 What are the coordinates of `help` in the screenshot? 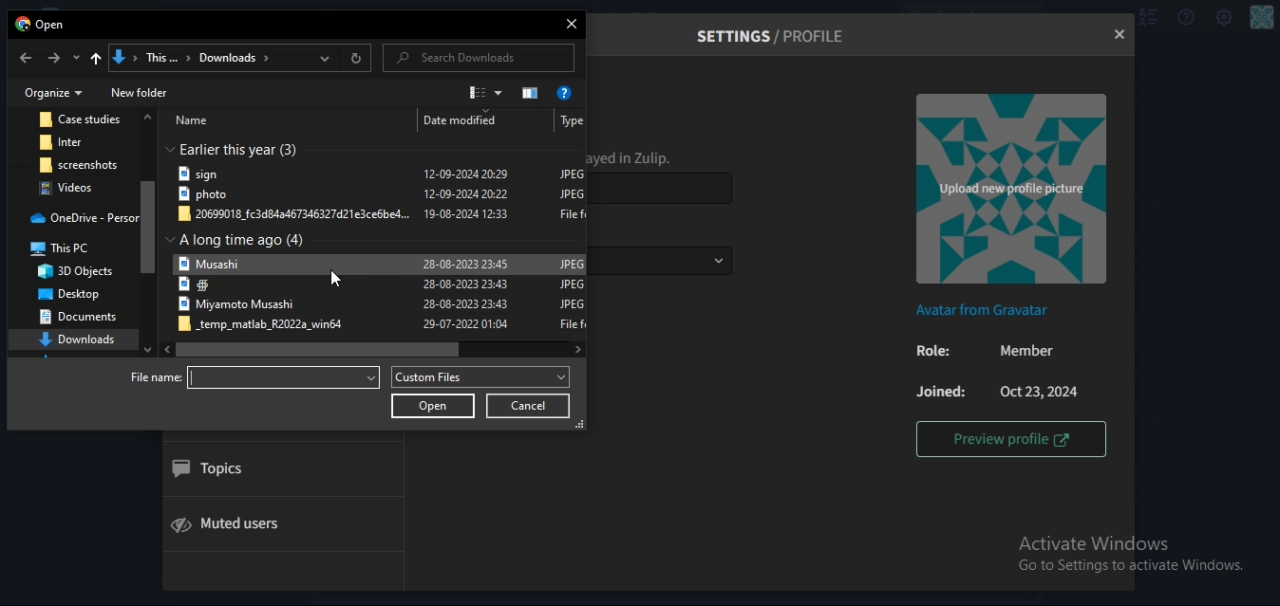 It's located at (1184, 18).